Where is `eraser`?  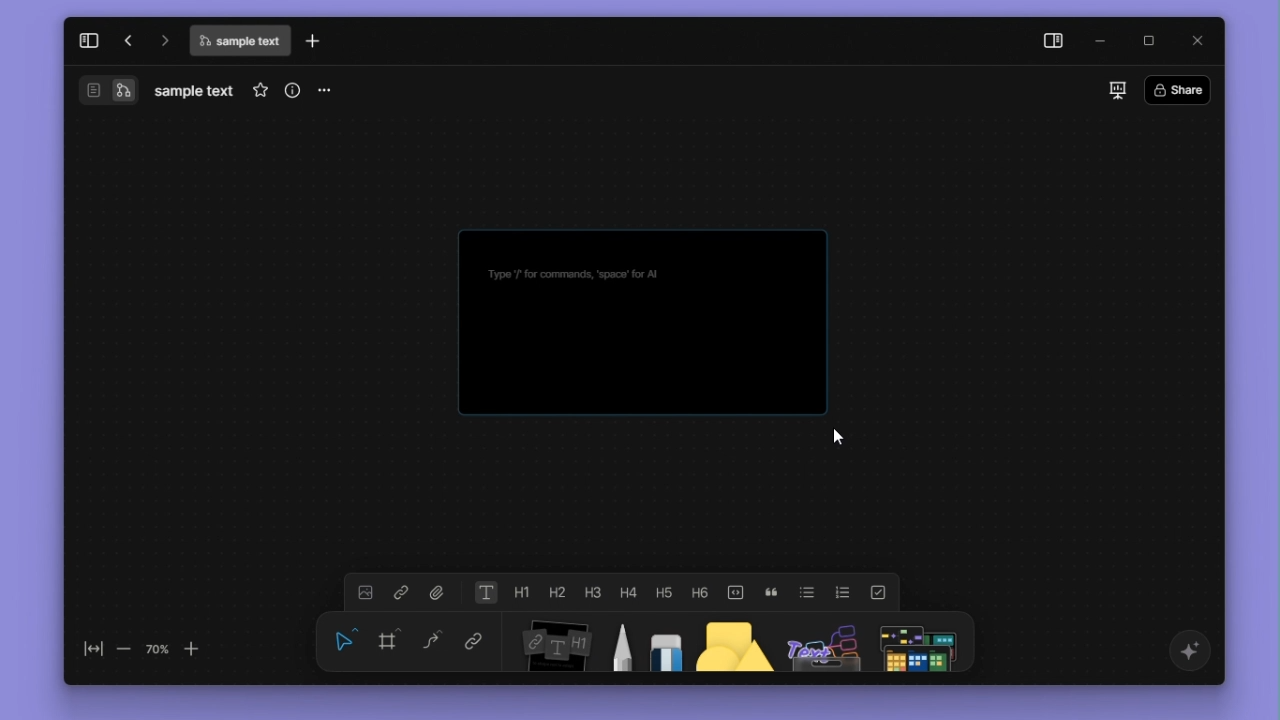 eraser is located at coordinates (662, 643).